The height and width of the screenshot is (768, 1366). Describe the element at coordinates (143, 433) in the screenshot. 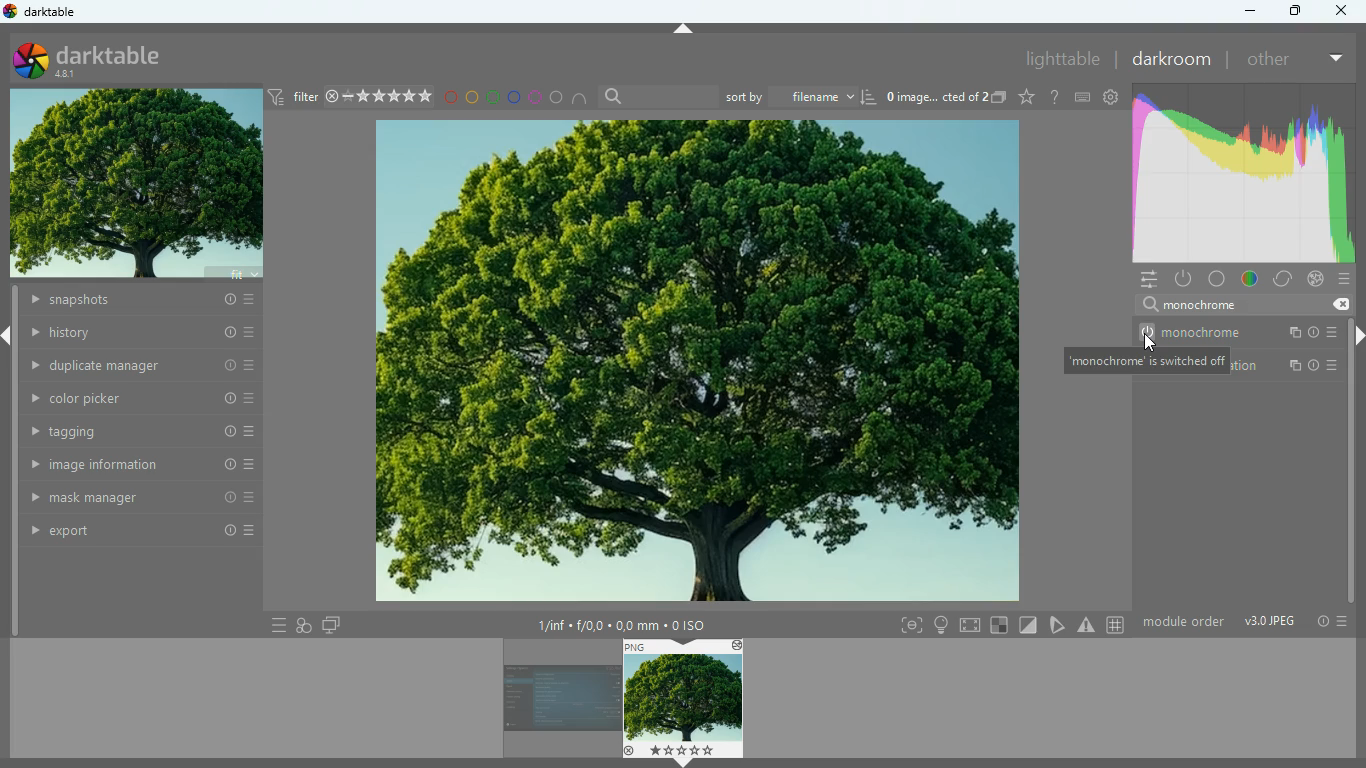

I see `tagging` at that location.